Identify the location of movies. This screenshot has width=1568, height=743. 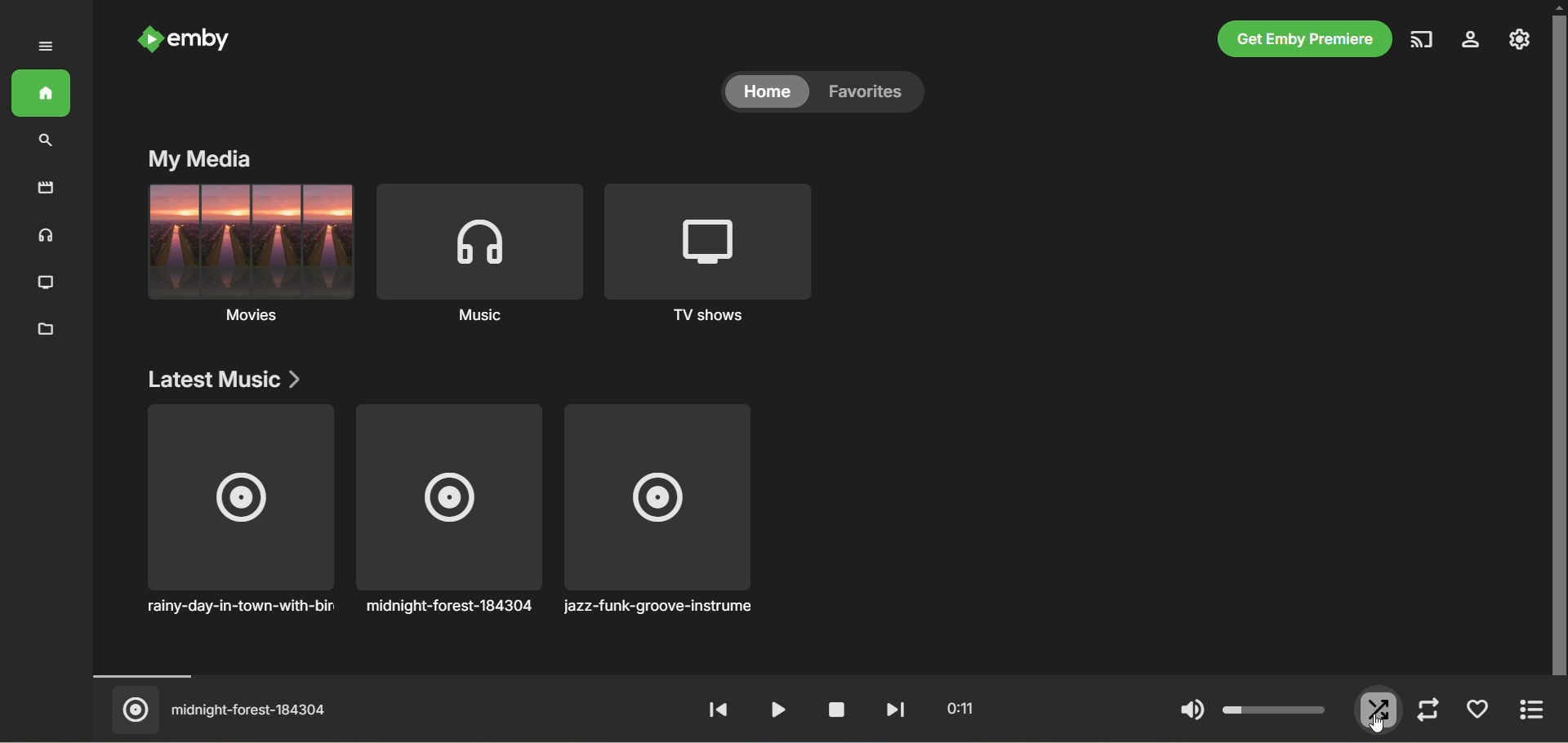
(46, 190).